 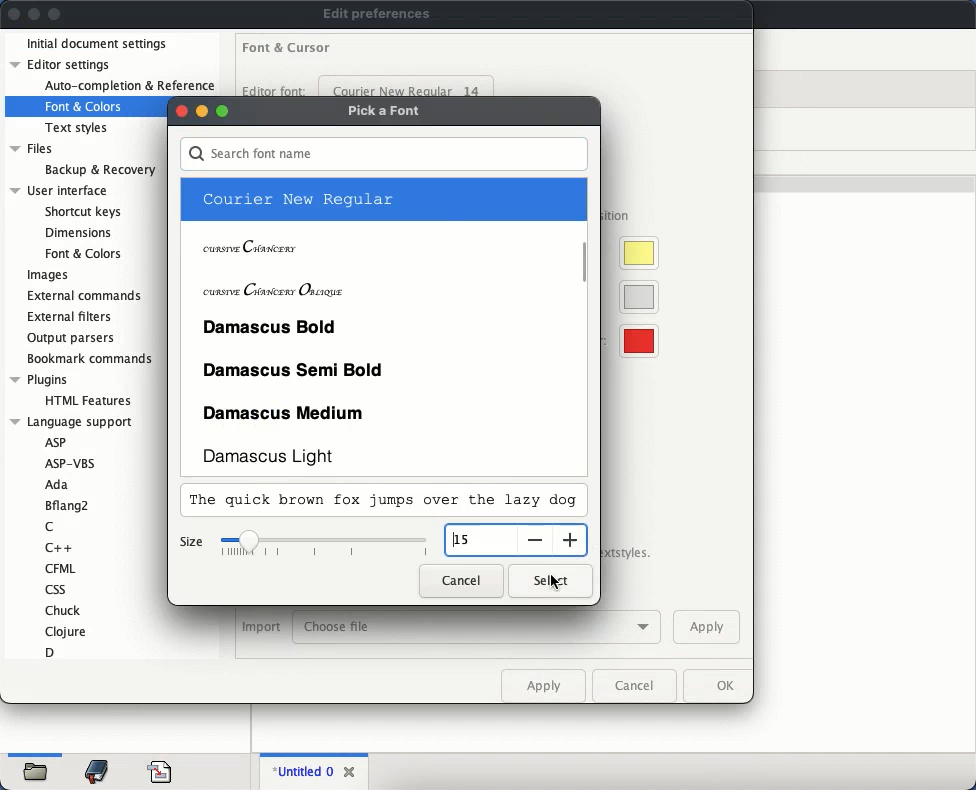 What do you see at coordinates (635, 342) in the screenshot?
I see `visible whitespace color` at bounding box center [635, 342].